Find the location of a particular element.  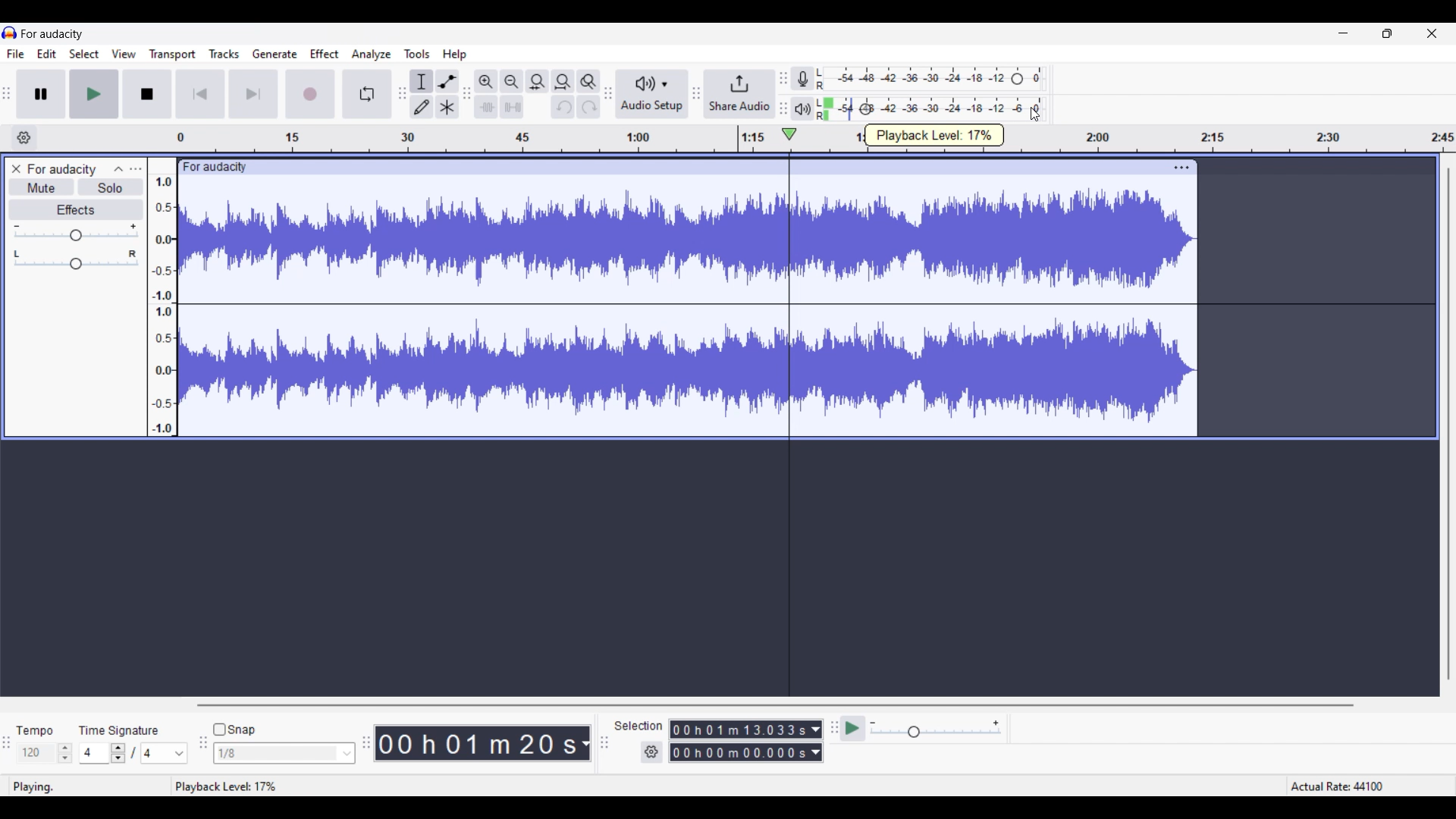

play at speed is located at coordinates (851, 729).